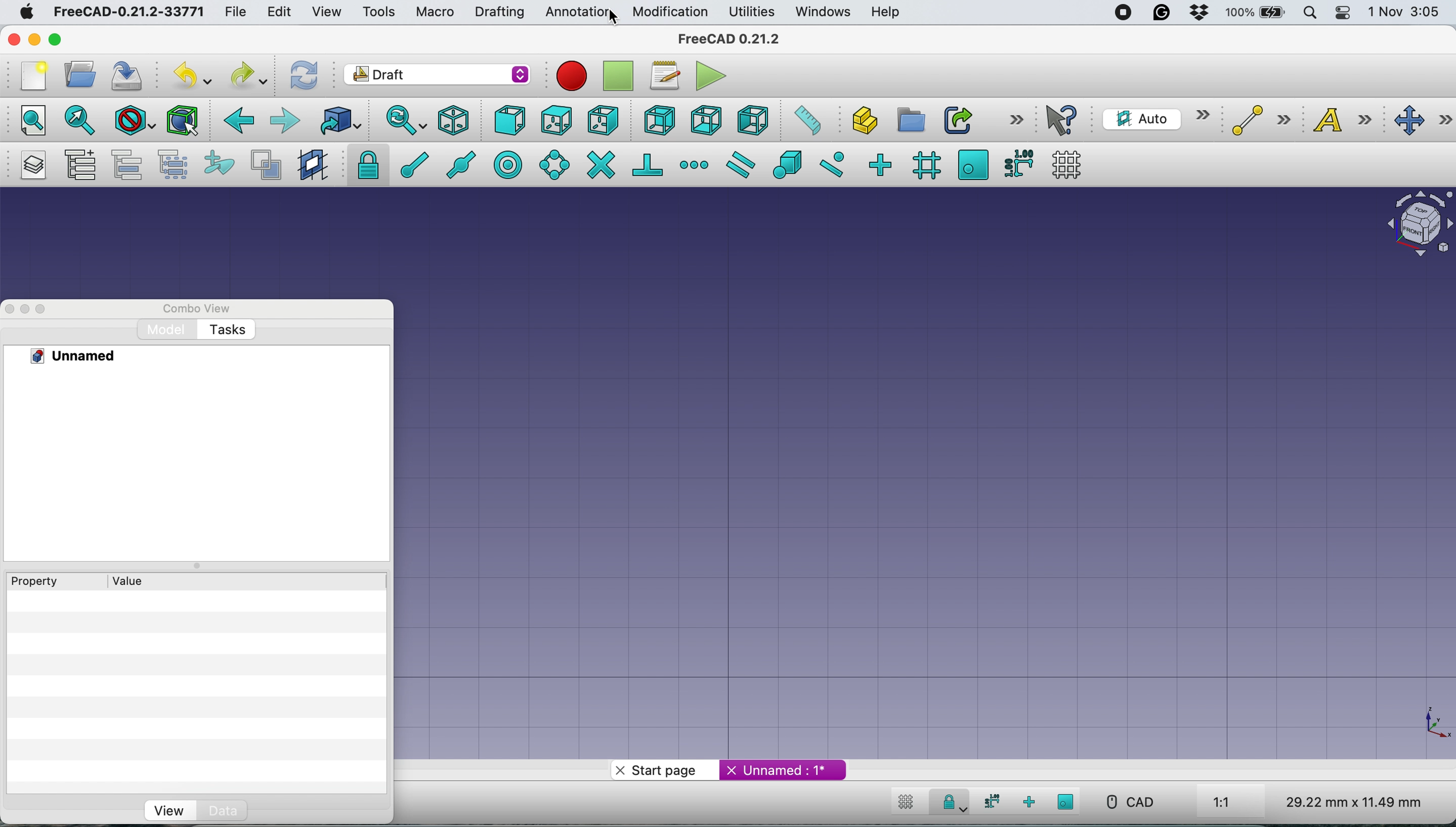 The width and height of the screenshot is (1456, 827). Describe the element at coordinates (76, 73) in the screenshot. I see `open` at that location.